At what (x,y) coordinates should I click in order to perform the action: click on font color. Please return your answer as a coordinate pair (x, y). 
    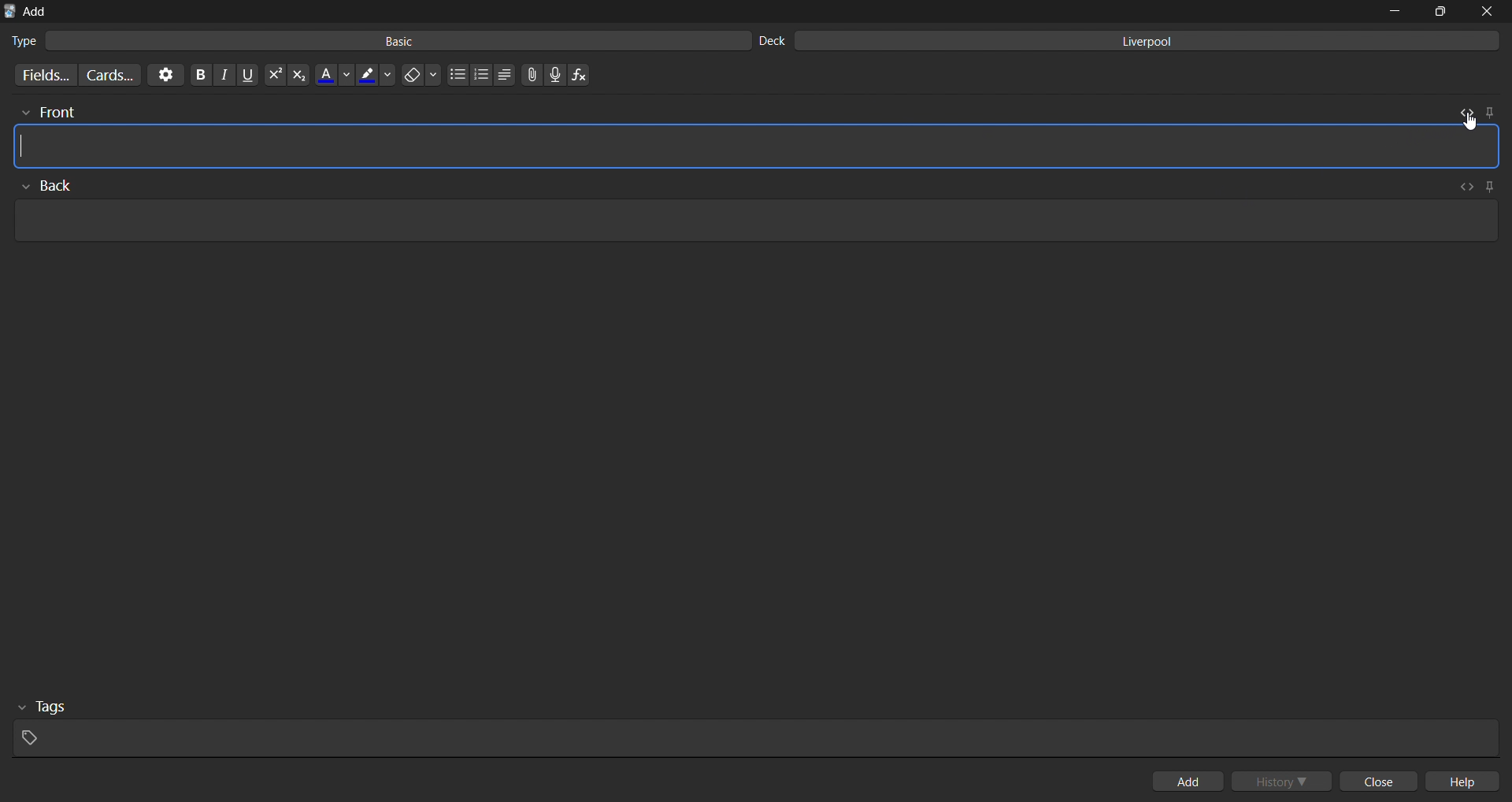
    Looking at the image, I should click on (335, 72).